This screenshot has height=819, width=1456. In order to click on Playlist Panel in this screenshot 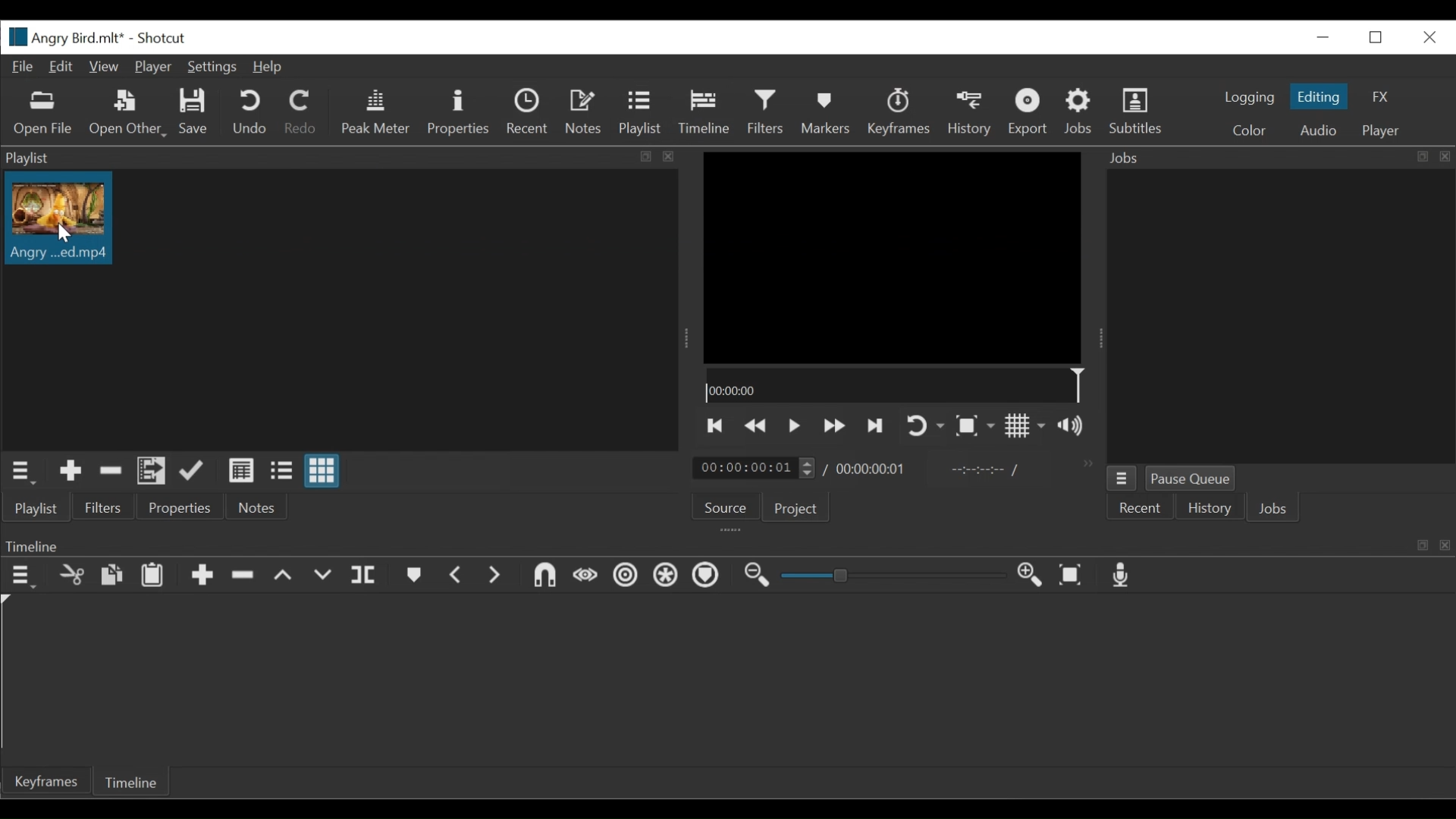, I will do `click(348, 155)`.